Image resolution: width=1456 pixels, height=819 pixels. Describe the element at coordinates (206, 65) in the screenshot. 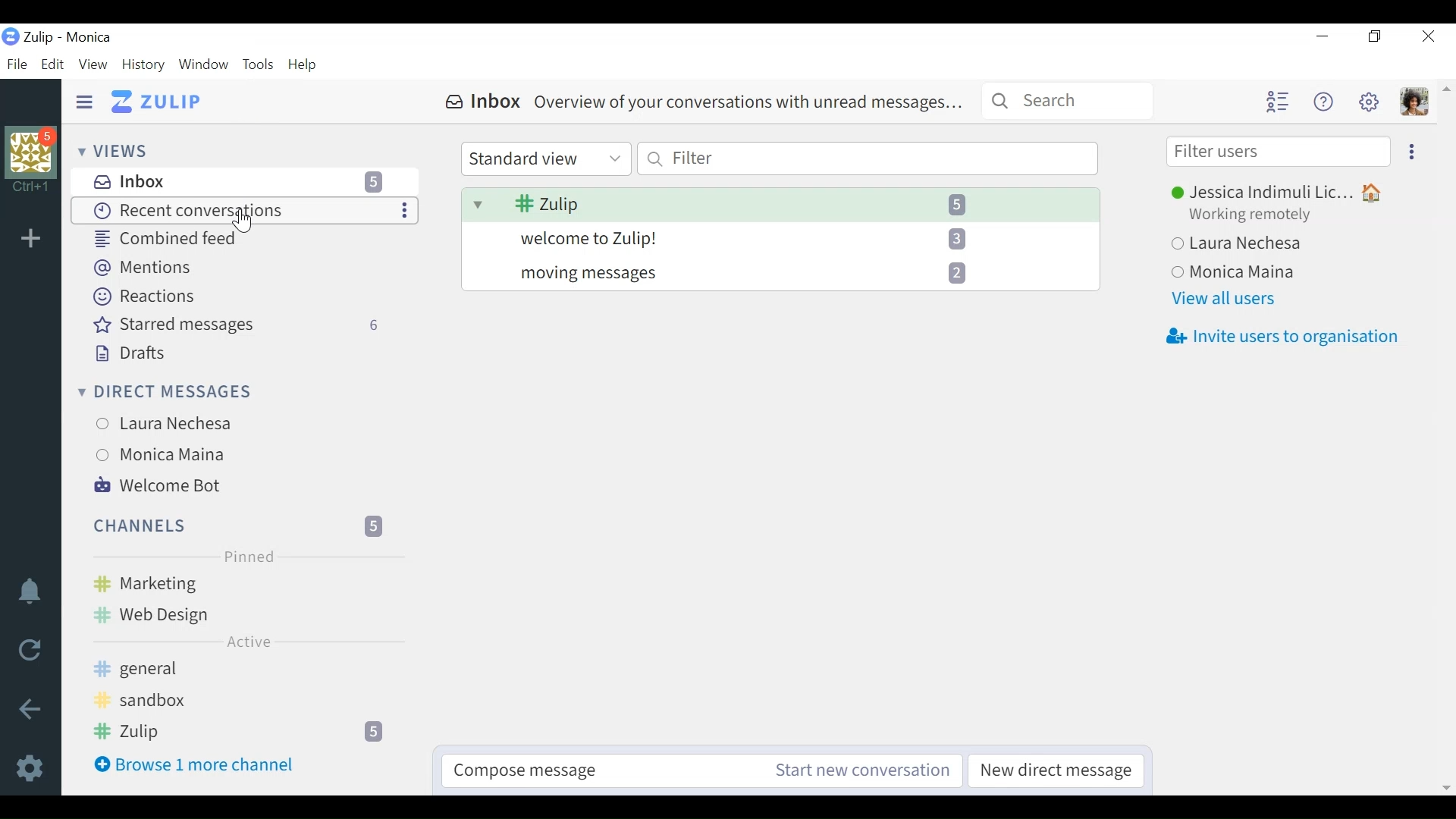

I see `Window` at that location.